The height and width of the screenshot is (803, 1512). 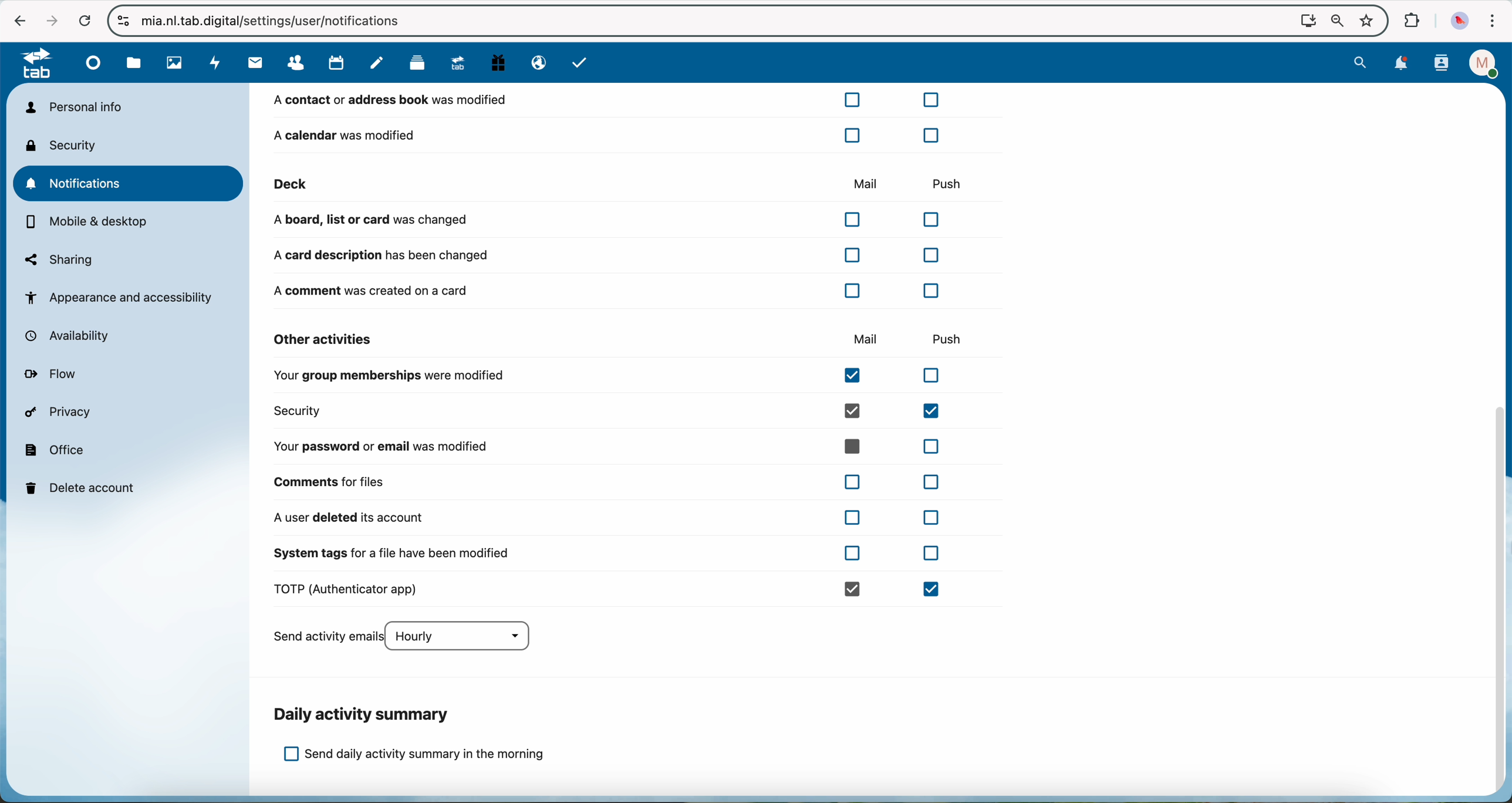 I want to click on photos, so click(x=173, y=63).